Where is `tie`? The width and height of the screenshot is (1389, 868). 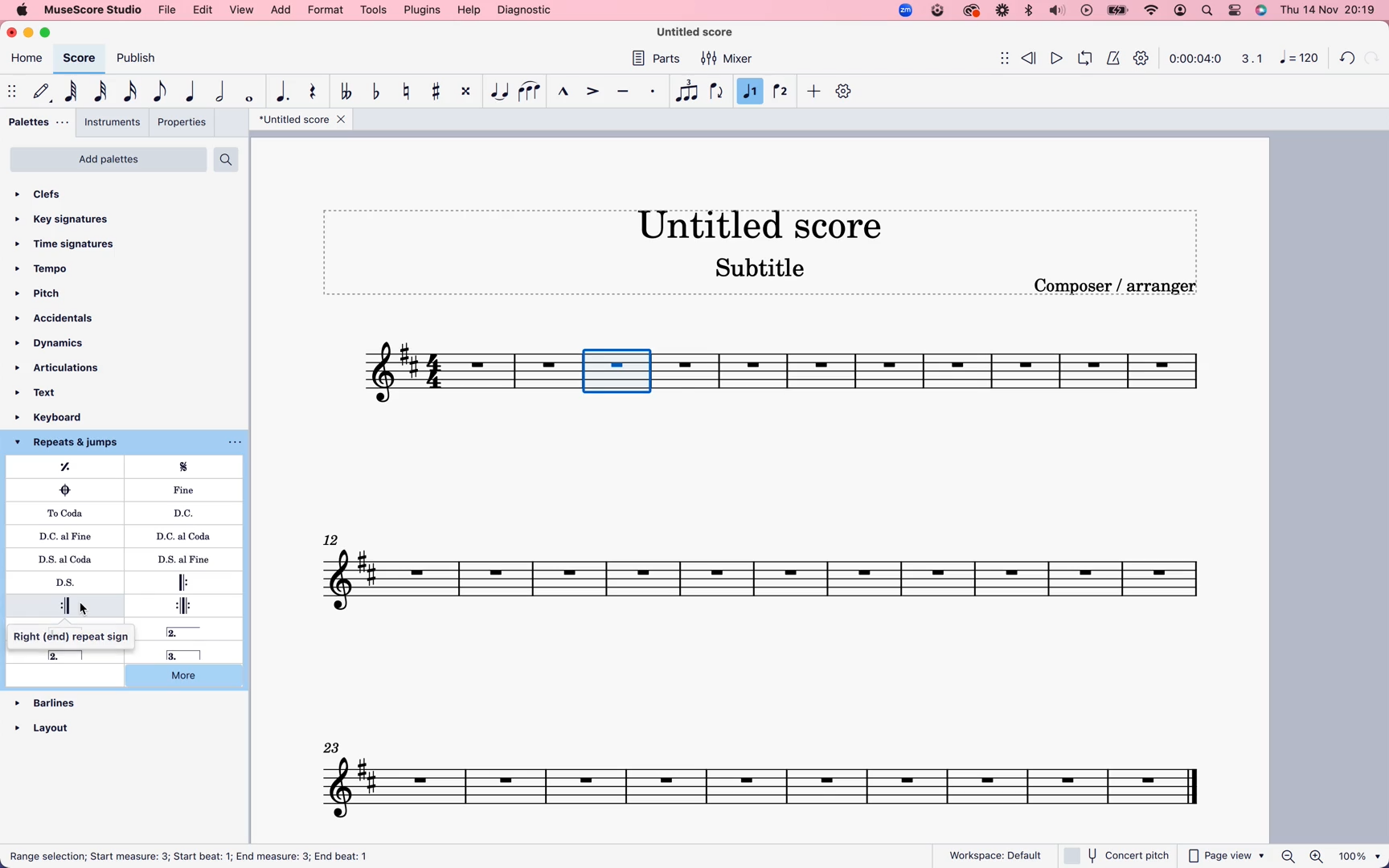 tie is located at coordinates (499, 92).